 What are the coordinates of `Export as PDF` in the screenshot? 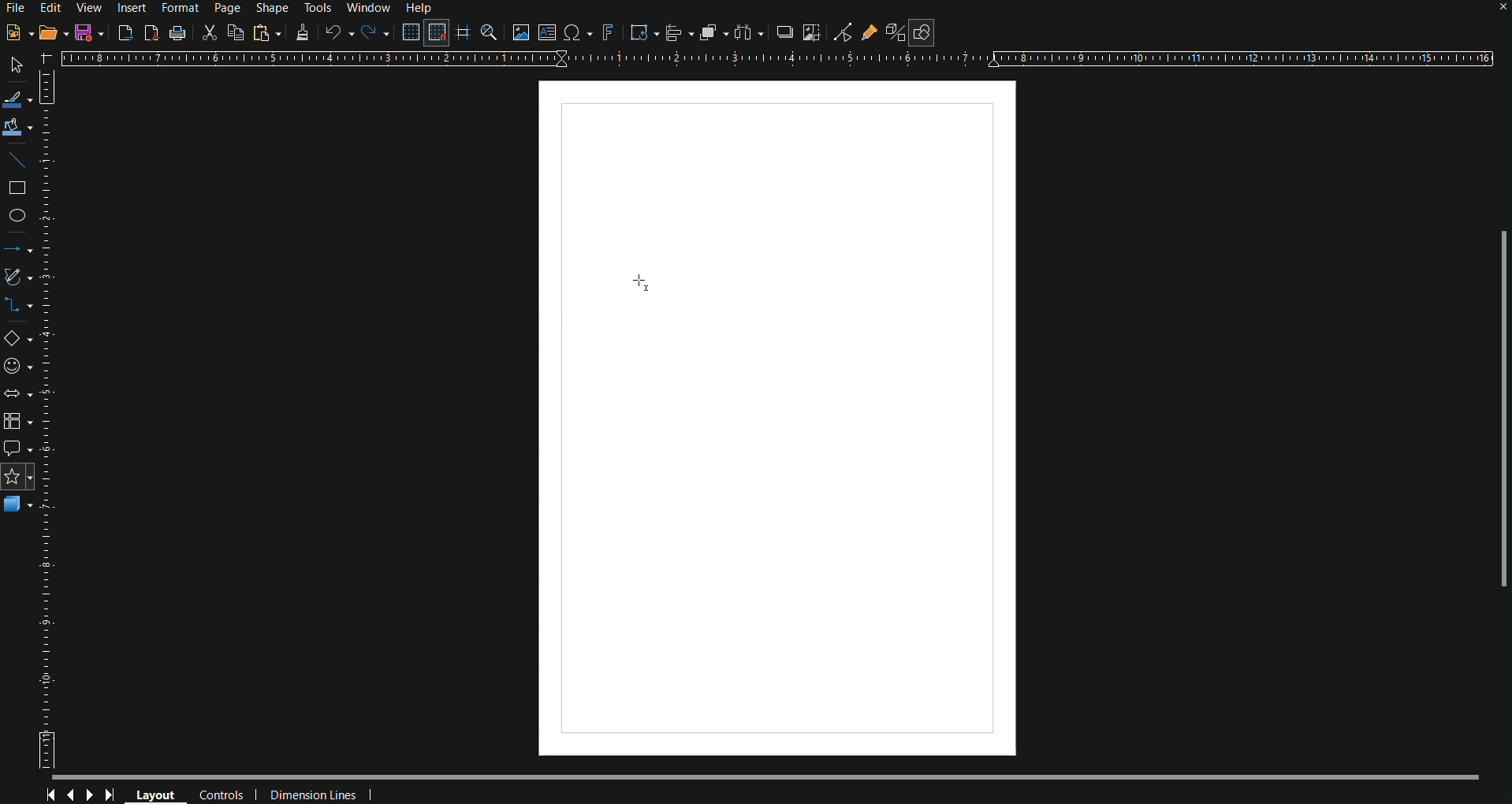 It's located at (152, 32).